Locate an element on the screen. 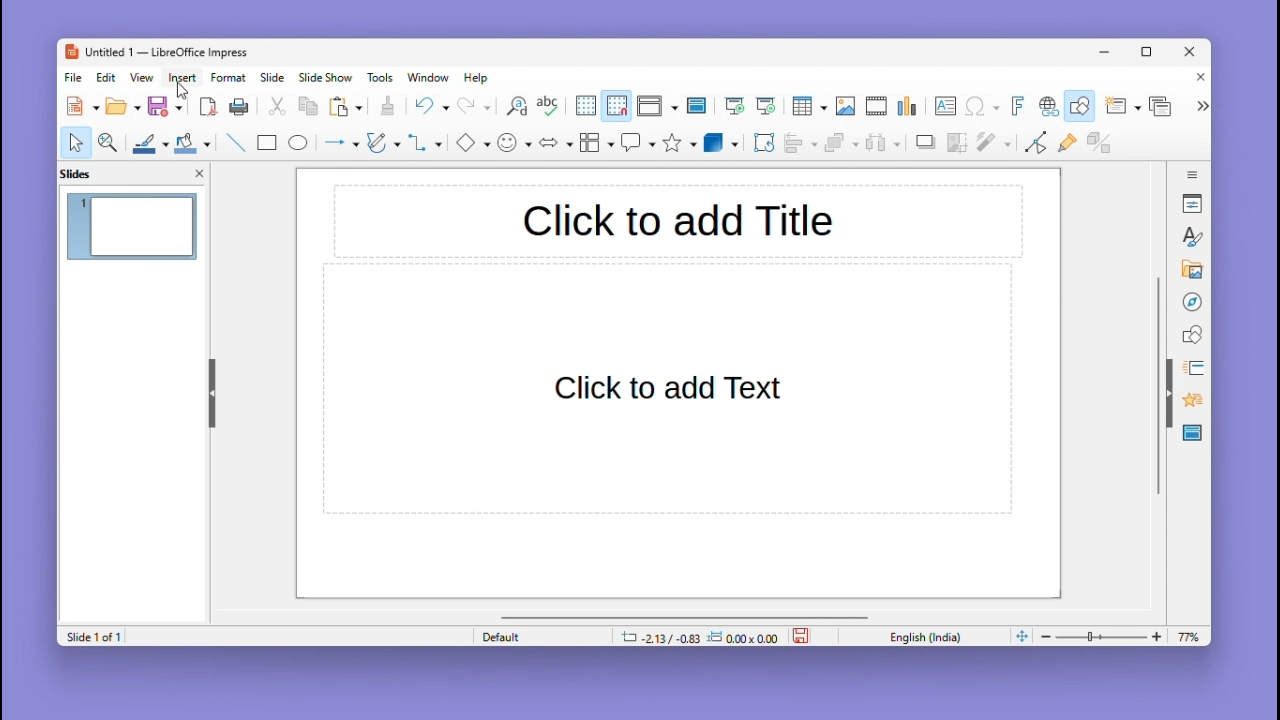  Format is located at coordinates (229, 77).